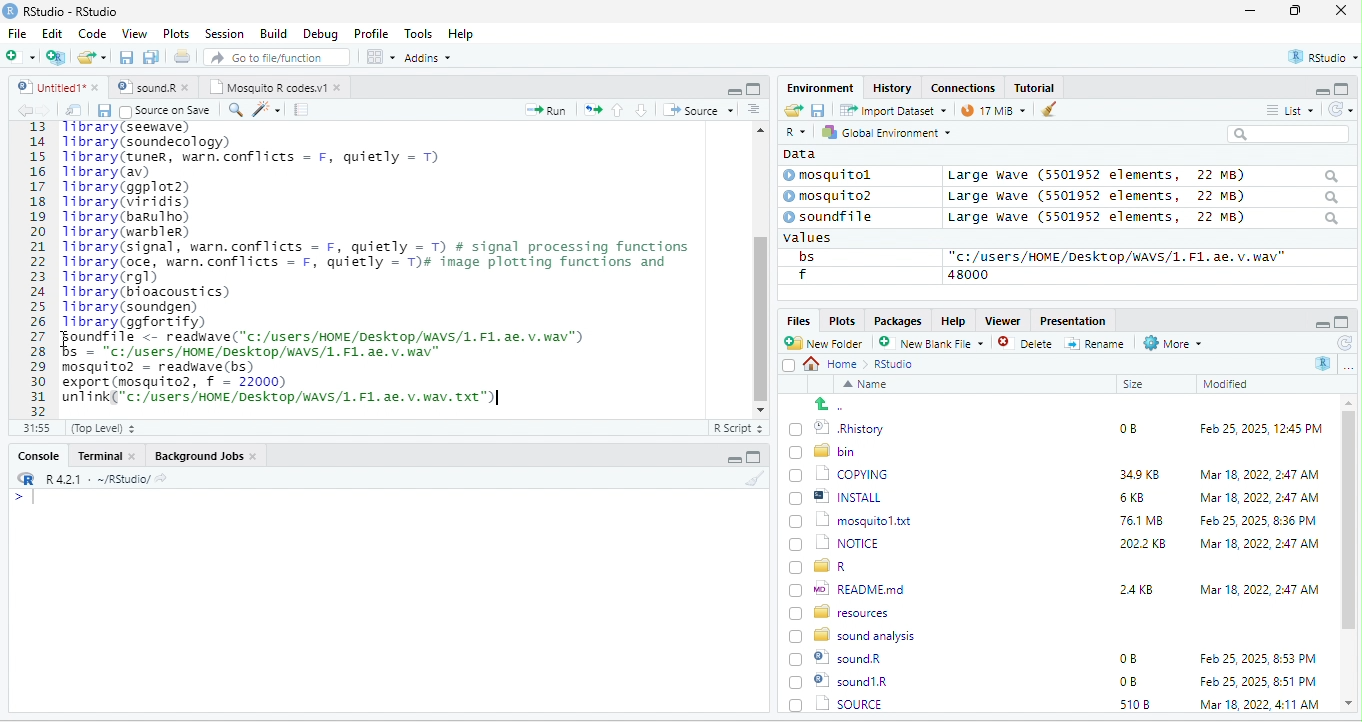  Describe the element at coordinates (1141, 519) in the screenshot. I see `76.1 MB` at that location.